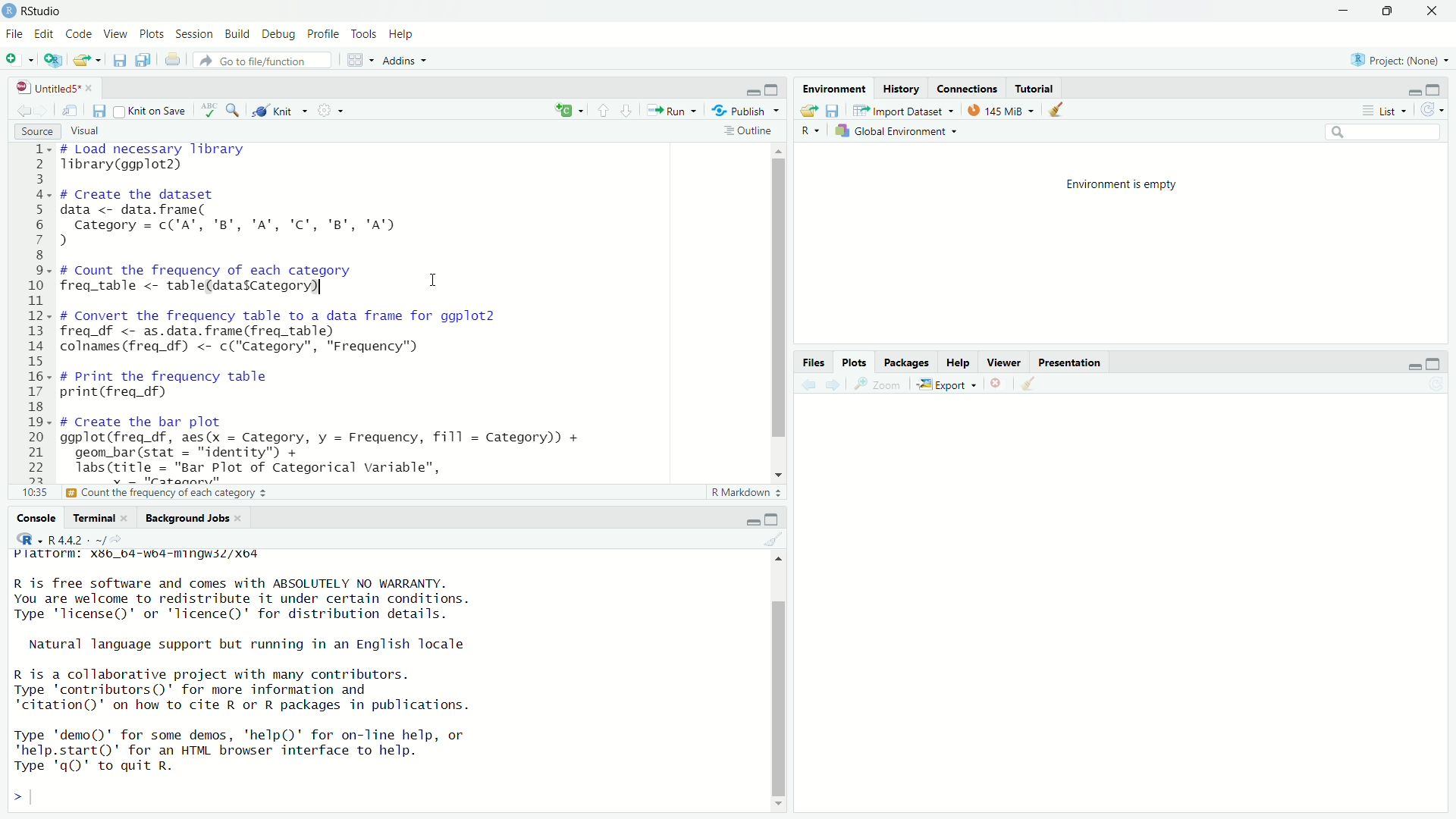  Describe the element at coordinates (84, 131) in the screenshot. I see `visual` at that location.